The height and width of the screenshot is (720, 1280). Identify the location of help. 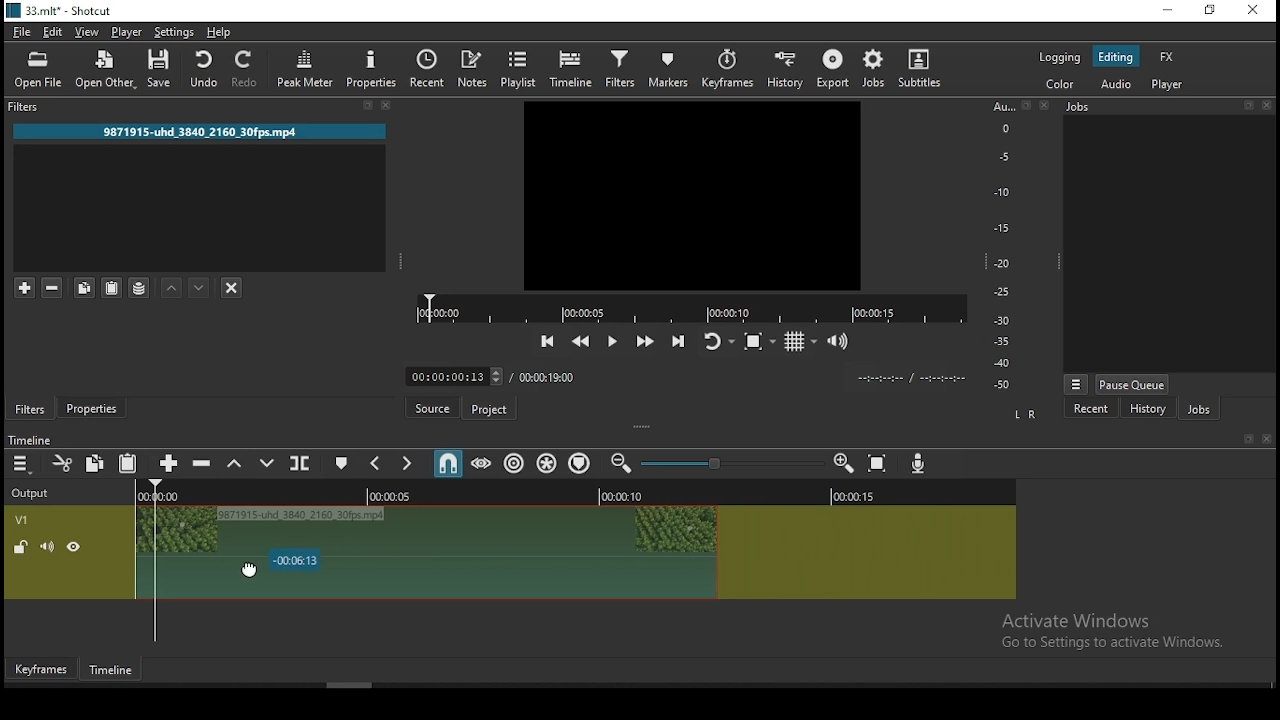
(221, 32).